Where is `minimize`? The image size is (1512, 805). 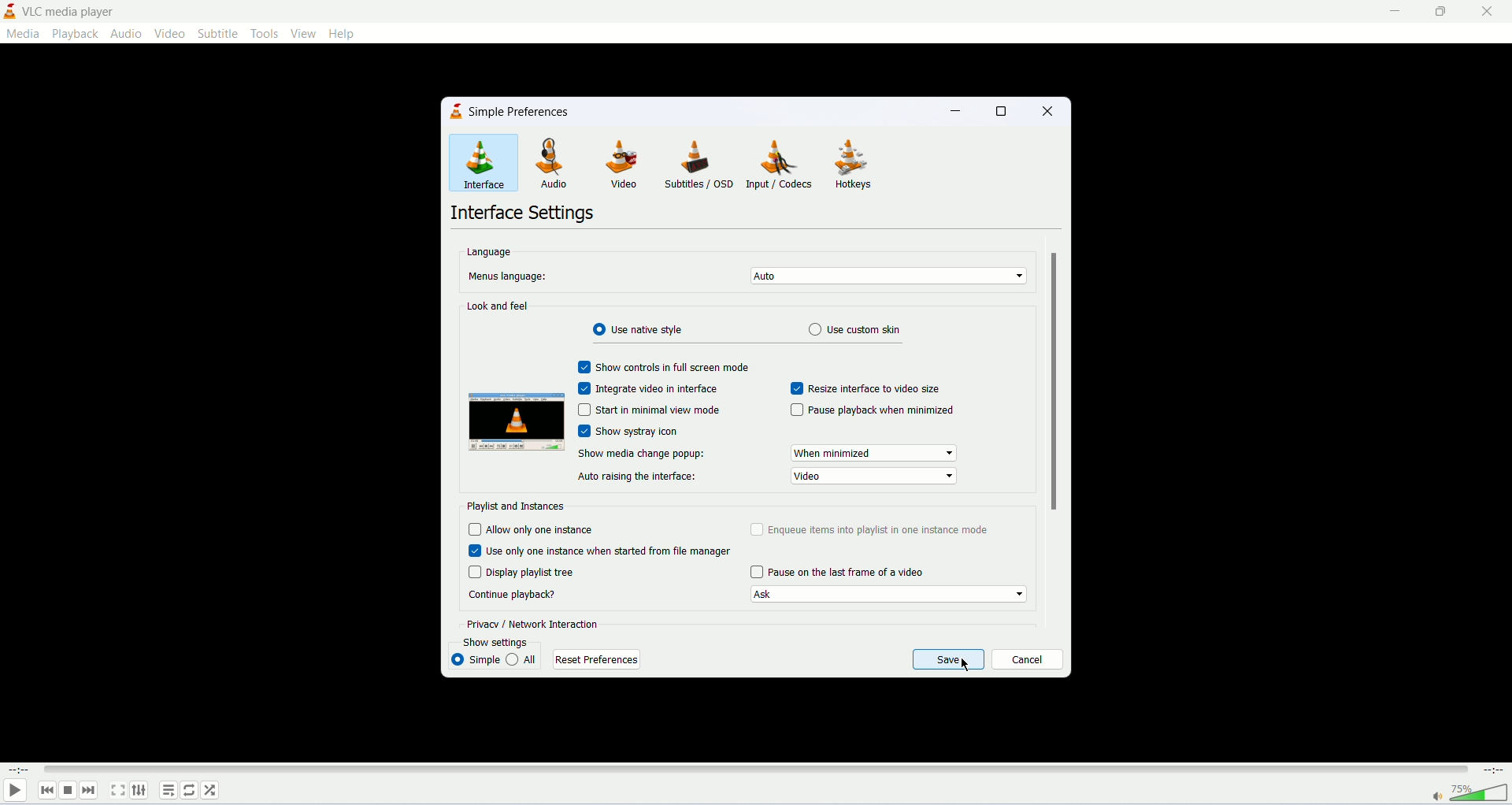 minimize is located at coordinates (1388, 15).